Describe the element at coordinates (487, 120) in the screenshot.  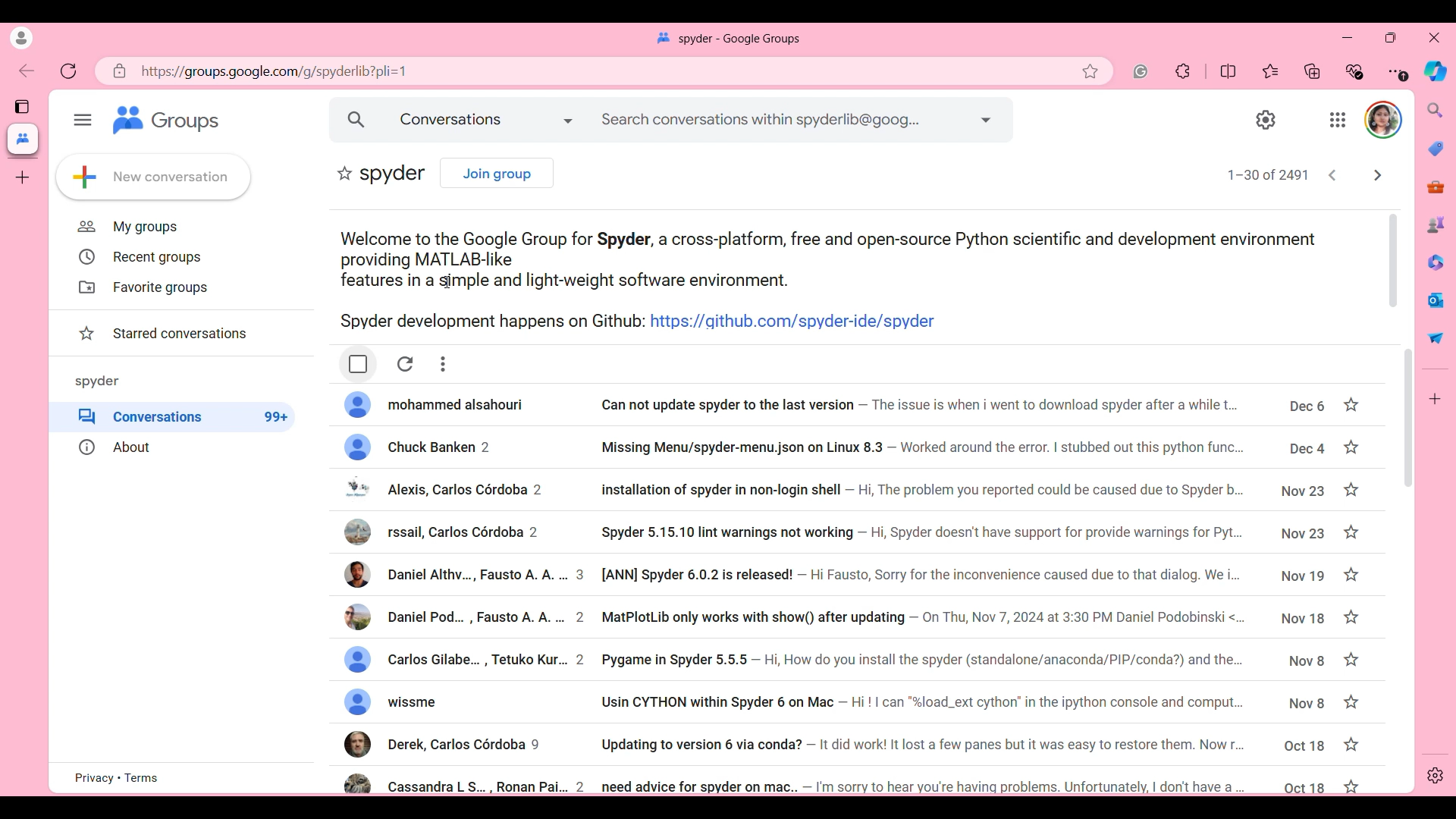
I see `Conversations and messages` at that location.